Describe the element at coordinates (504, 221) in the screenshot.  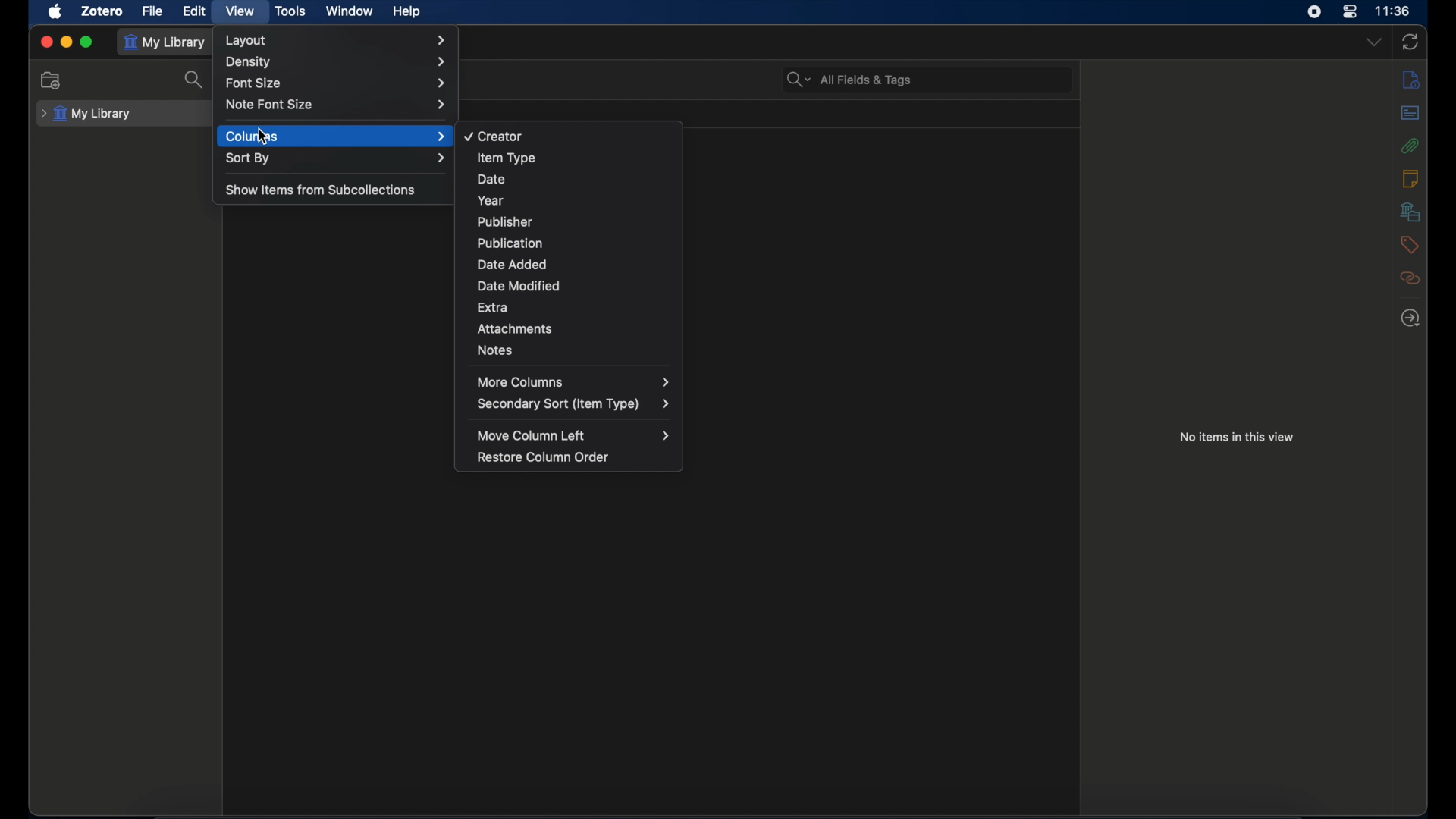
I see `publisher` at that location.